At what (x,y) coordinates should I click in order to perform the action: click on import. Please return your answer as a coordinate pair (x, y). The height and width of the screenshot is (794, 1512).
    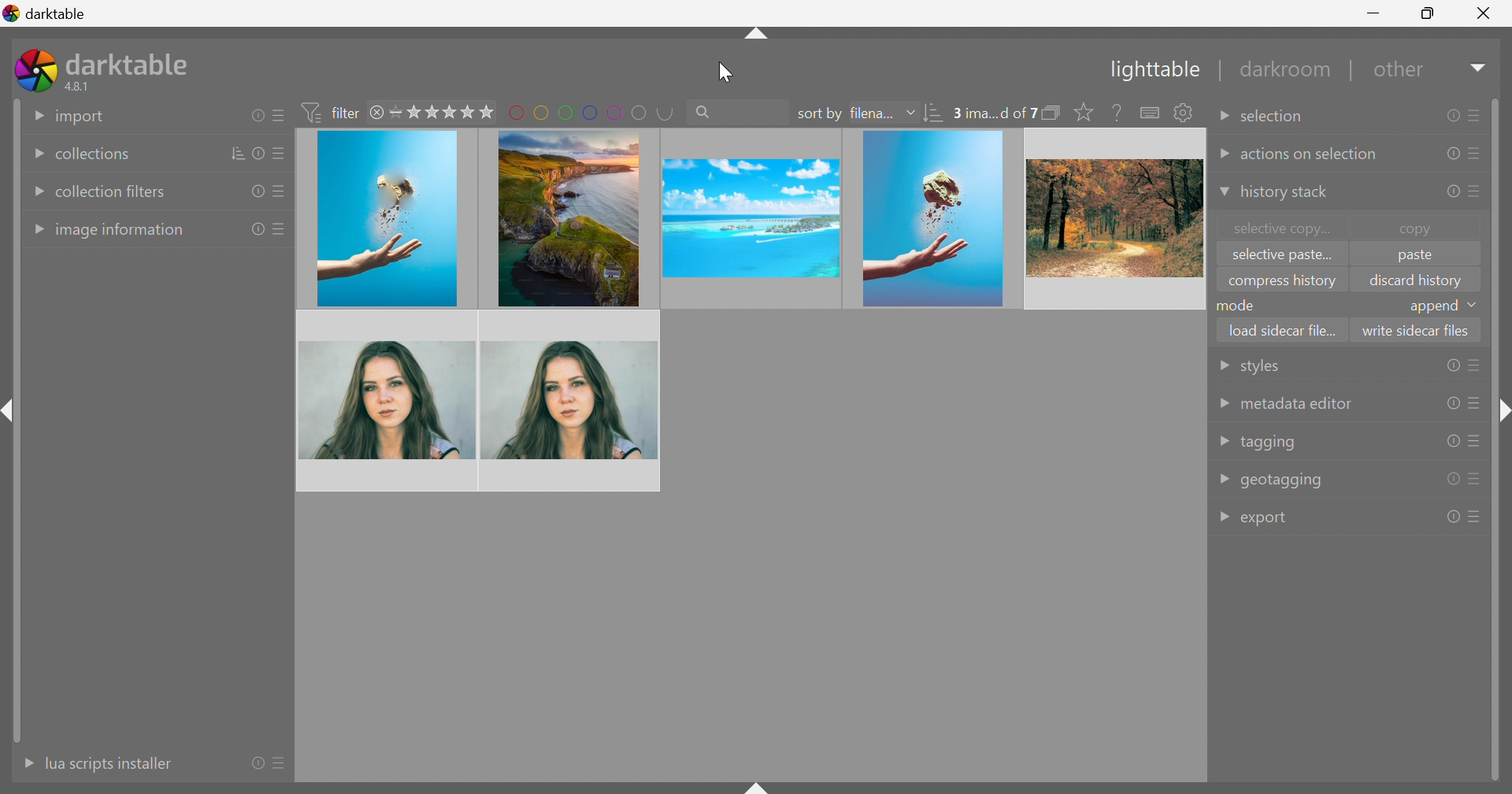
    Looking at the image, I should click on (81, 117).